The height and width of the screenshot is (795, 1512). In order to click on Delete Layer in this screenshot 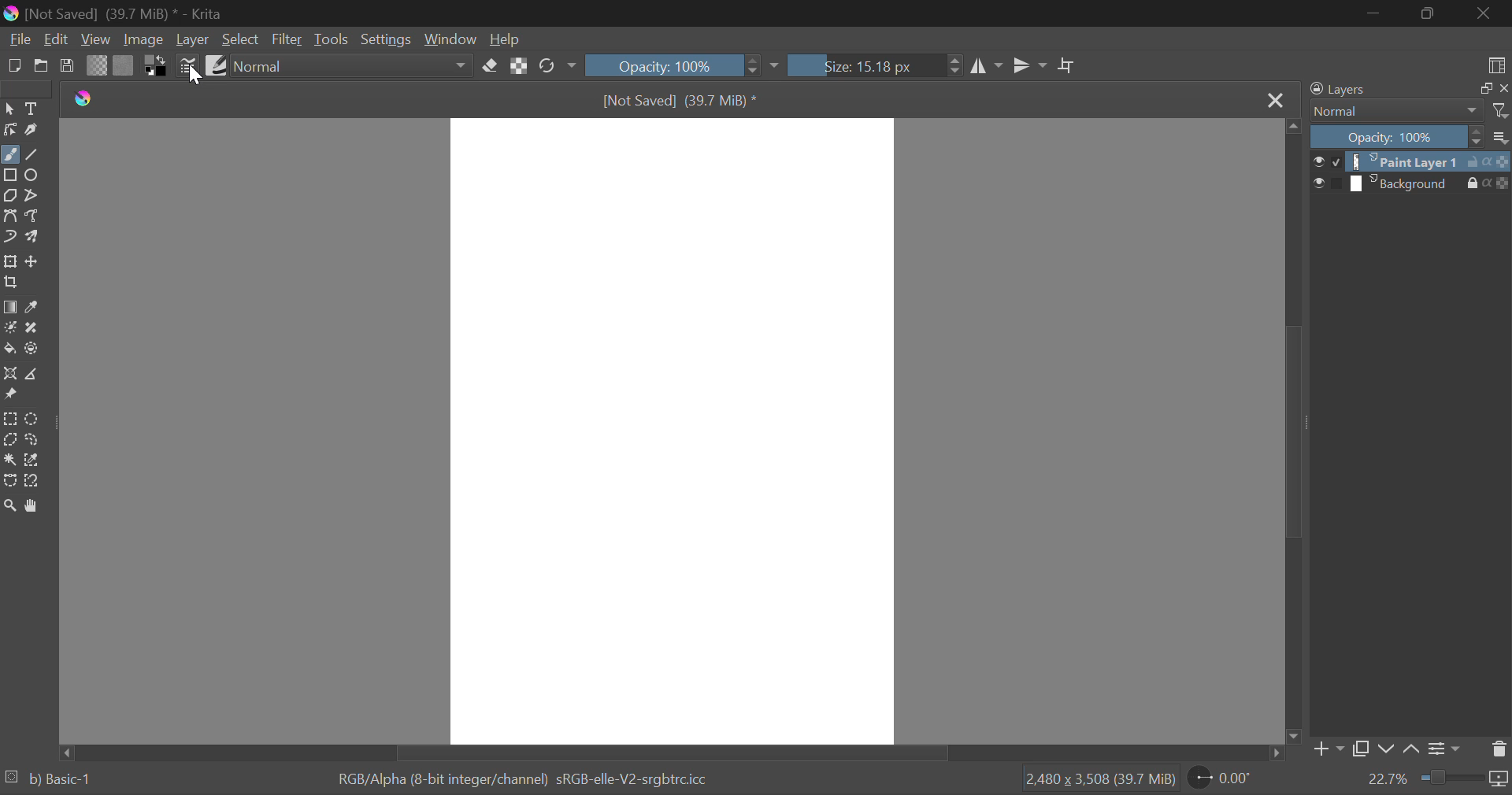, I will do `click(1499, 748)`.